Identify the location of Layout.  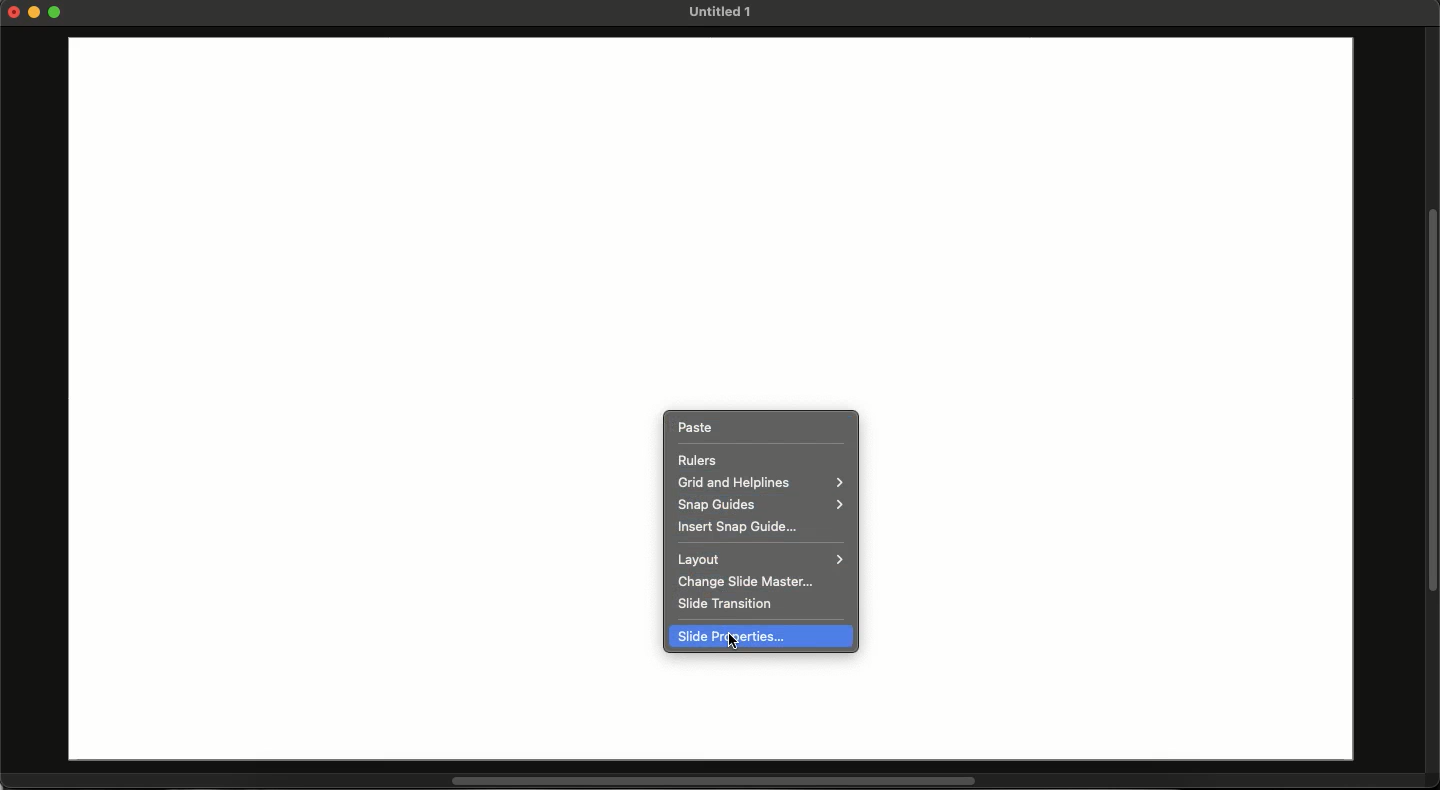
(759, 560).